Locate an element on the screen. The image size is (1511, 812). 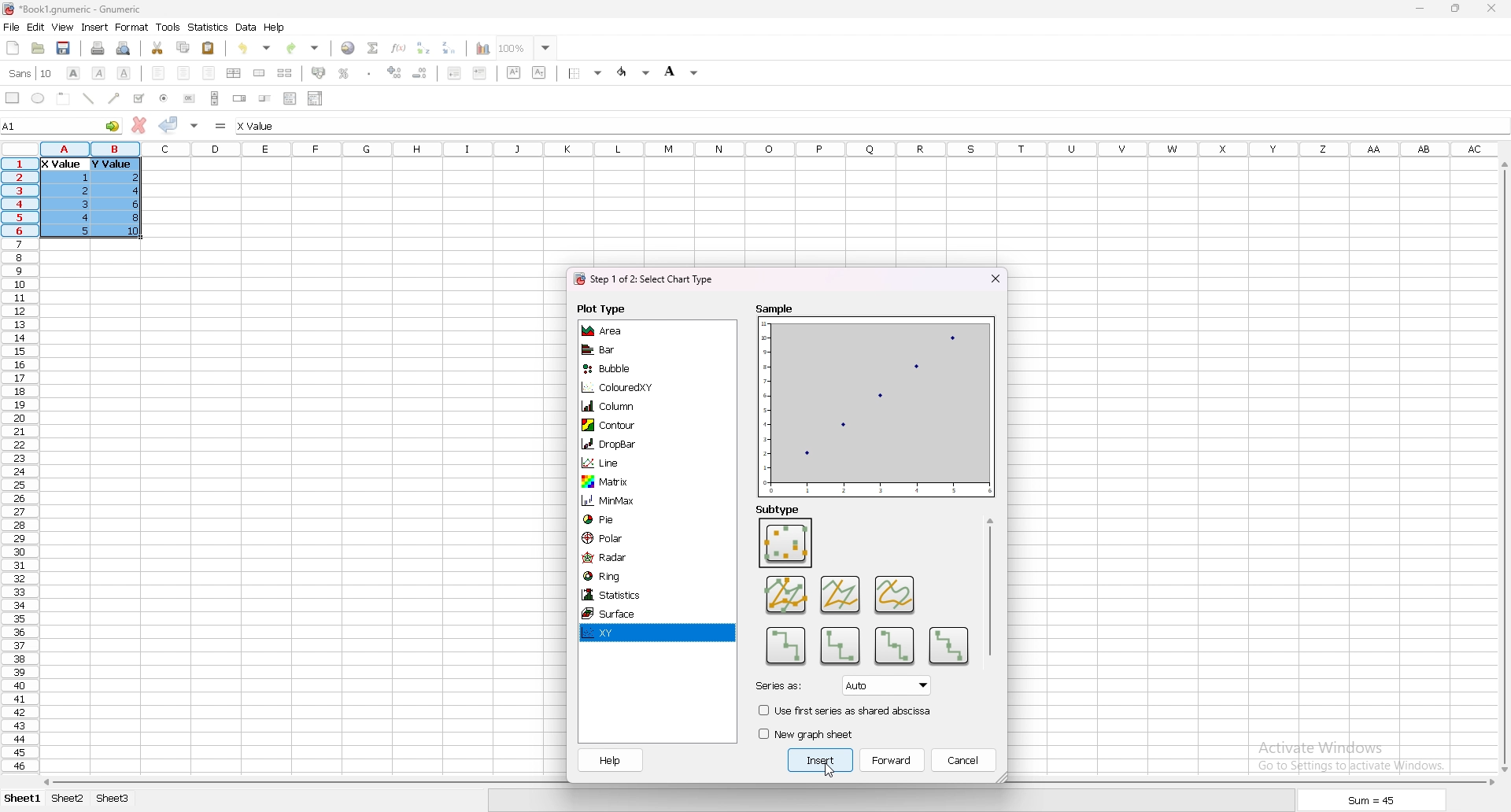
bubble is located at coordinates (625, 369).